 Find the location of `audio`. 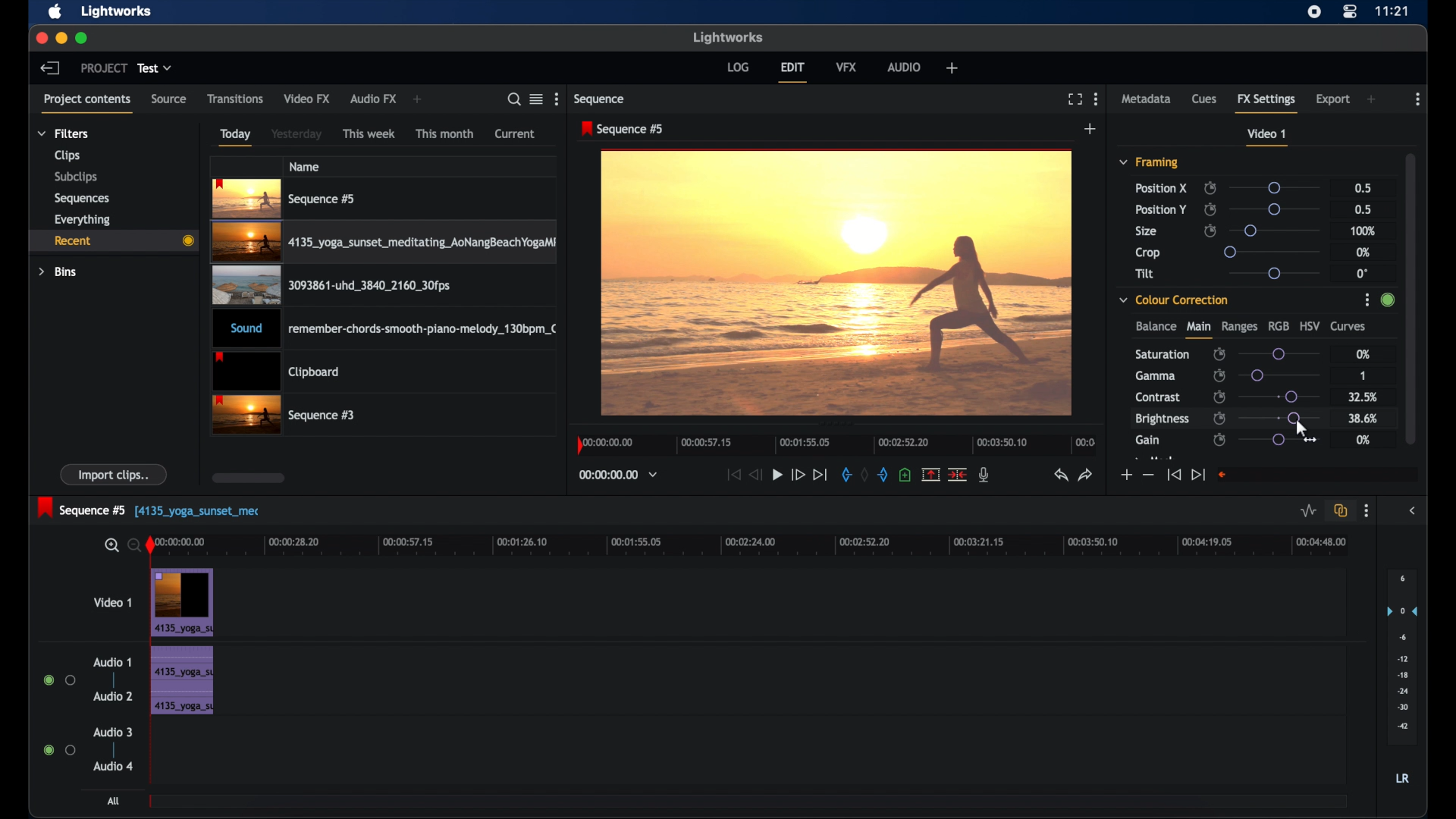

audio is located at coordinates (905, 67).